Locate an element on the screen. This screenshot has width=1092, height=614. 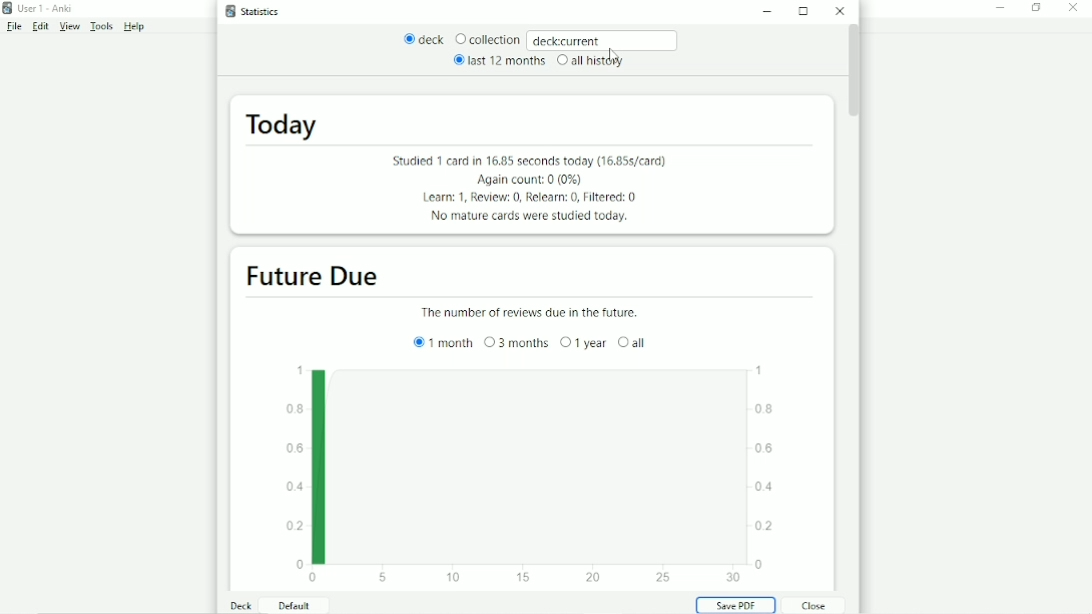
3 months is located at coordinates (516, 342).